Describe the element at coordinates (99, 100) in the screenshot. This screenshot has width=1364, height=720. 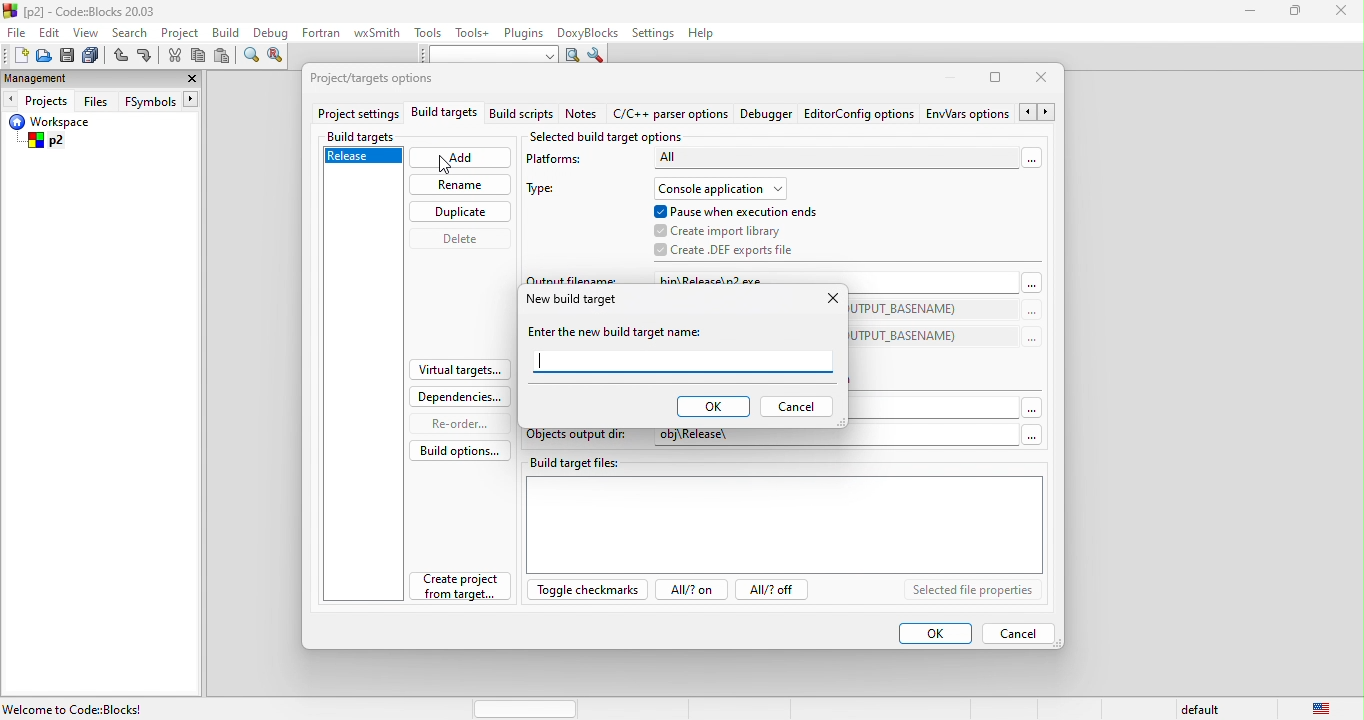
I see `files` at that location.